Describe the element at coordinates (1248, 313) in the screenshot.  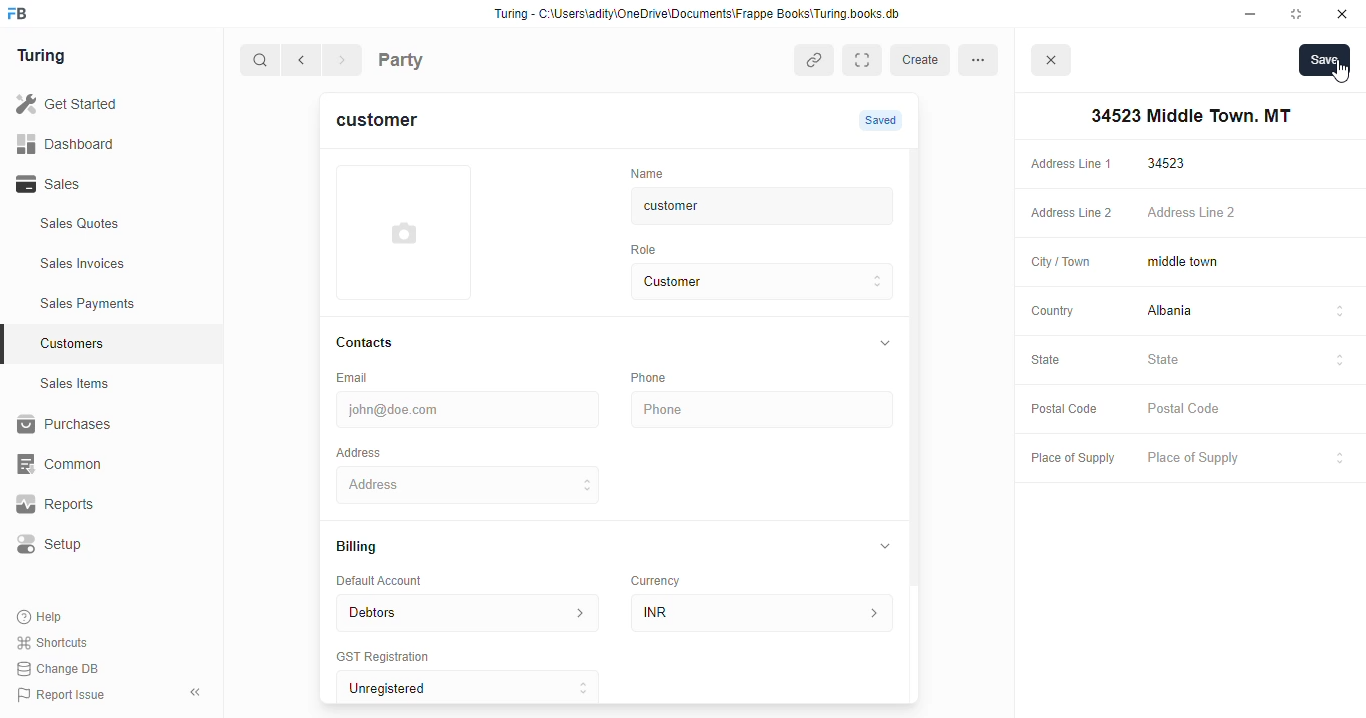
I see `Albania` at that location.